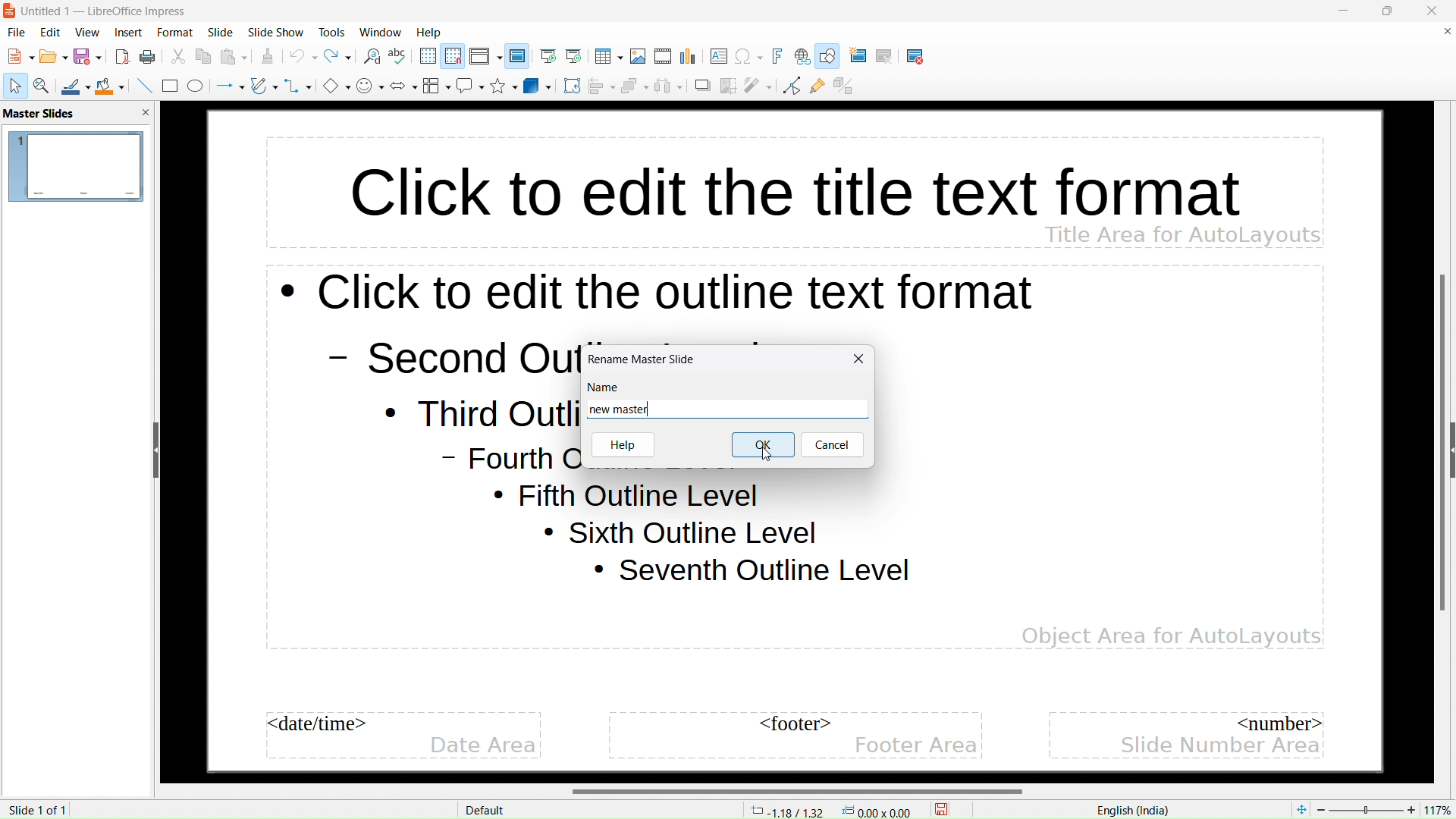  What do you see at coordinates (639, 56) in the screenshot?
I see `insert image` at bounding box center [639, 56].